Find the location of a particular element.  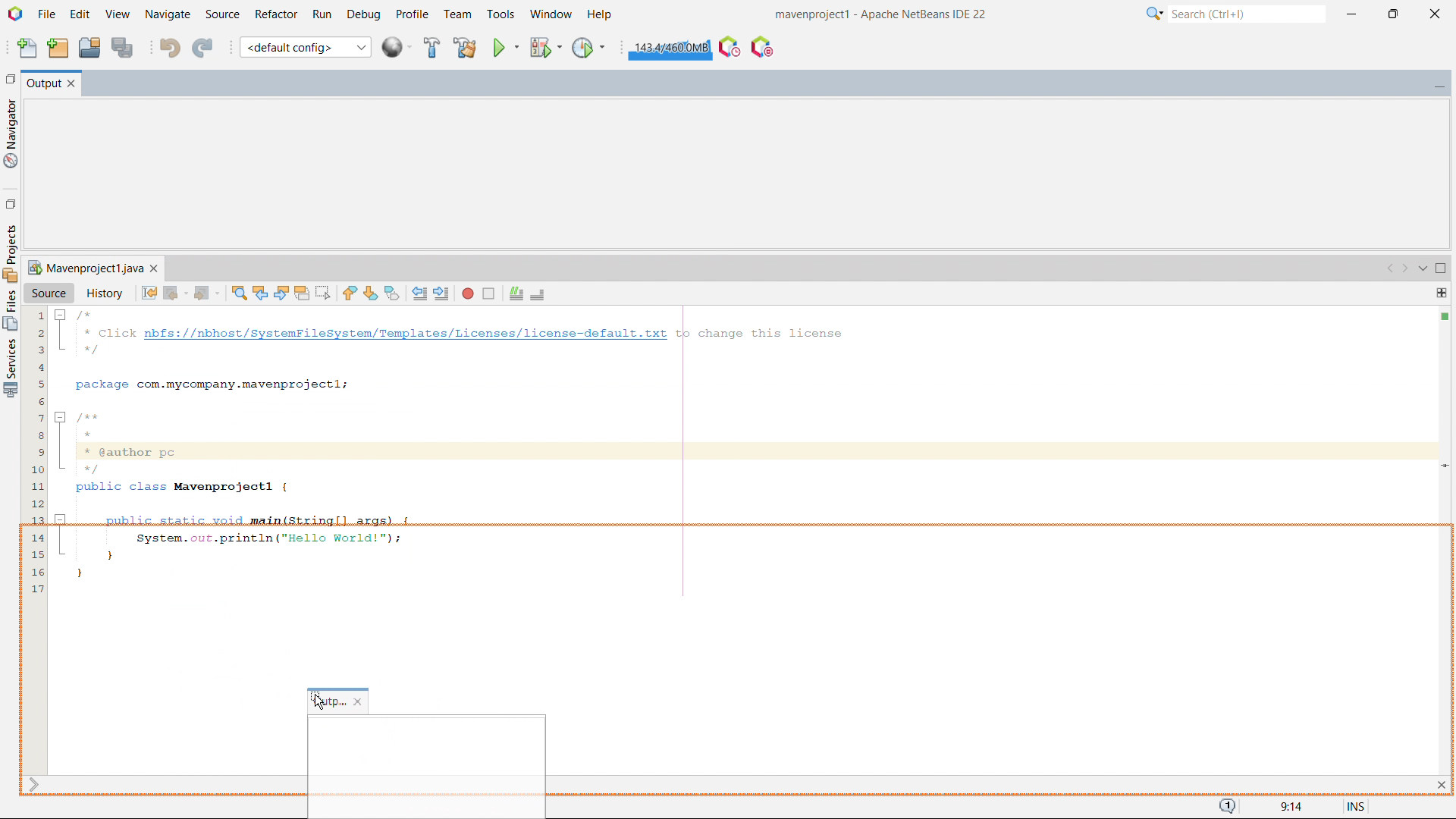

debug project is located at coordinates (544, 47).